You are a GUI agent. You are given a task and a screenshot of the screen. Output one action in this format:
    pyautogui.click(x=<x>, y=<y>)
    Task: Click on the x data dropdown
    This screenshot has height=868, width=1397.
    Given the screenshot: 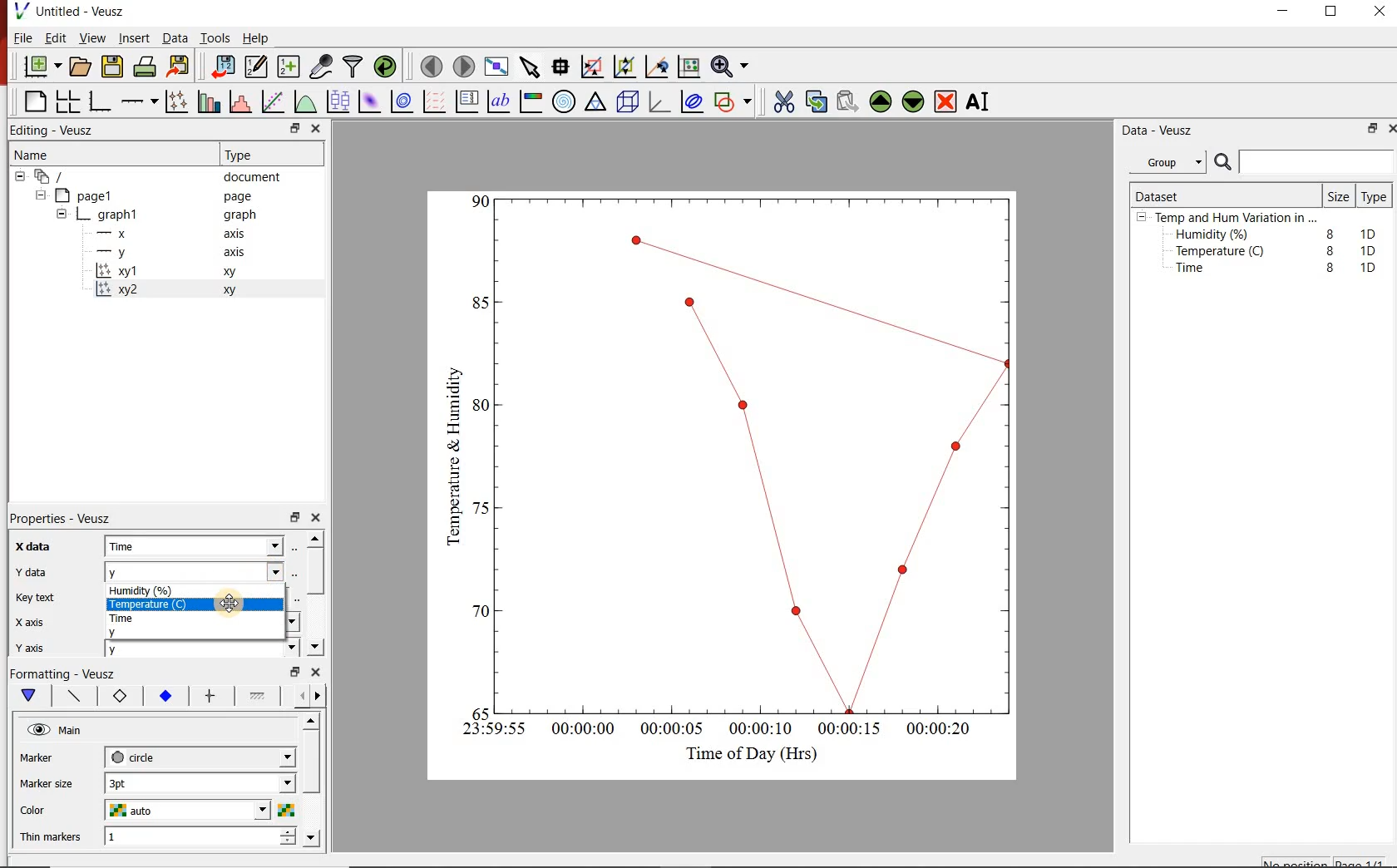 What is the action you would take?
    pyautogui.click(x=250, y=545)
    